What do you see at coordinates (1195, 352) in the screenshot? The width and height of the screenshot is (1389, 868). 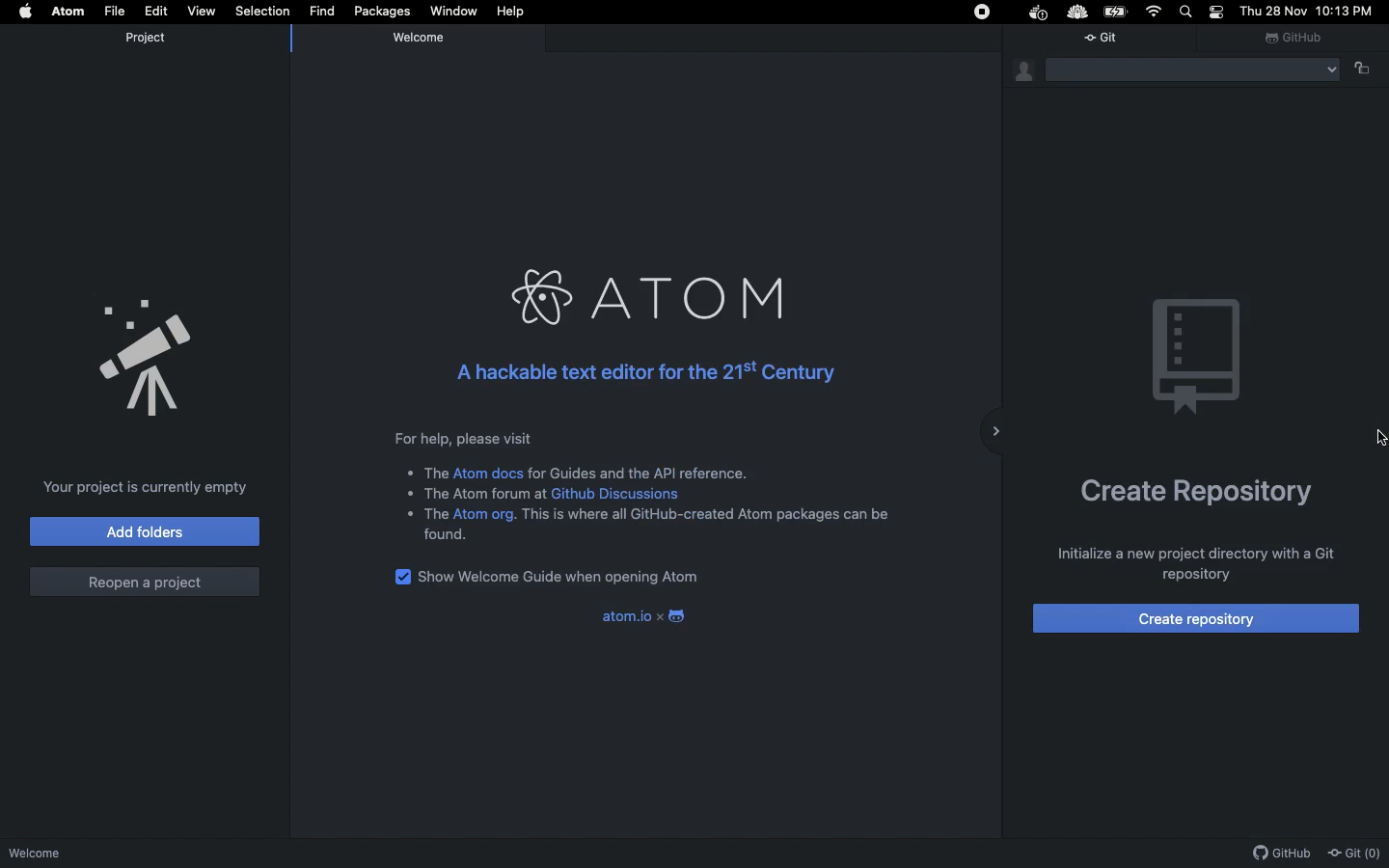 I see `Emblem` at bounding box center [1195, 352].